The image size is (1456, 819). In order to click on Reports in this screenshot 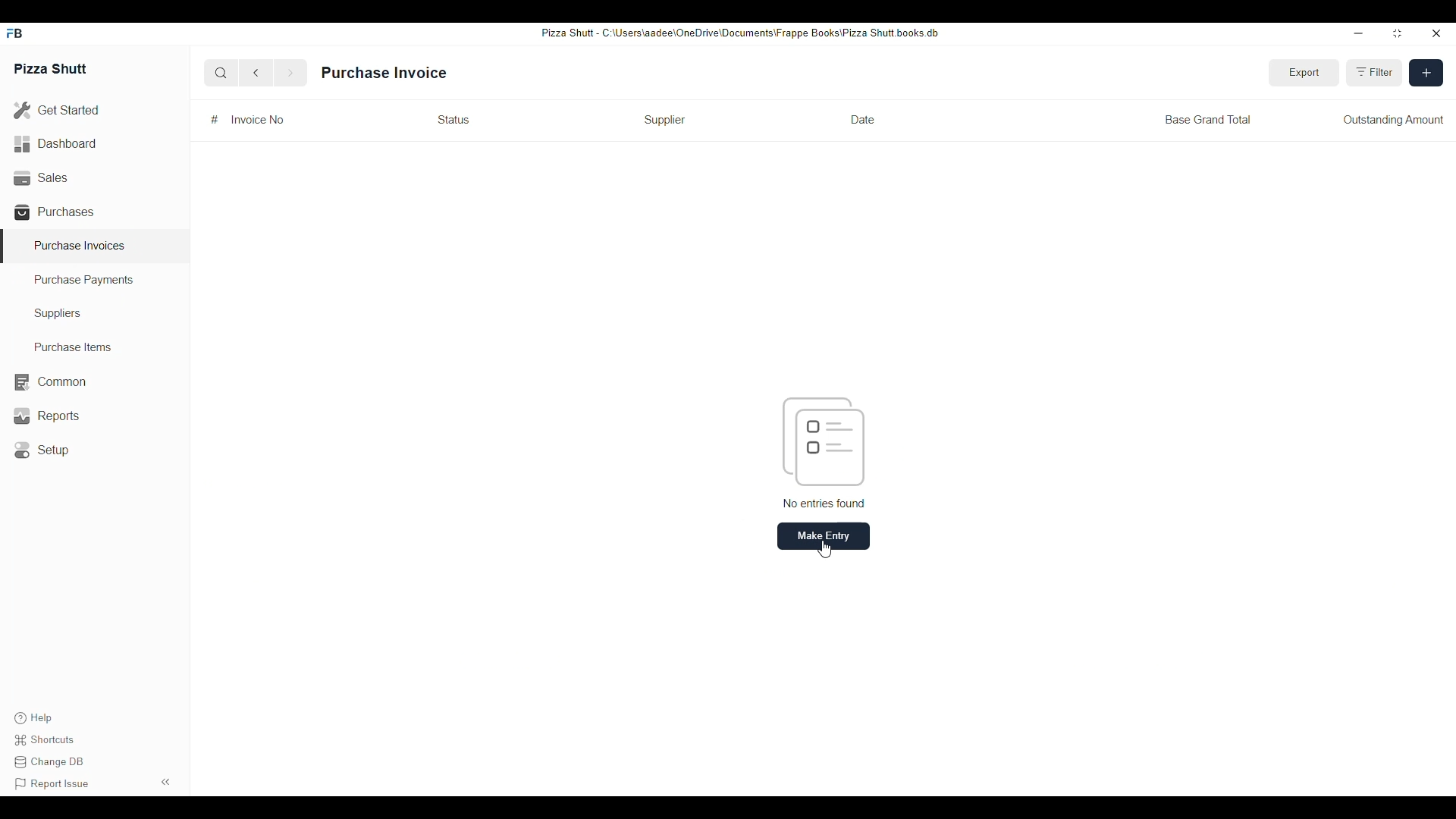, I will do `click(45, 416)`.